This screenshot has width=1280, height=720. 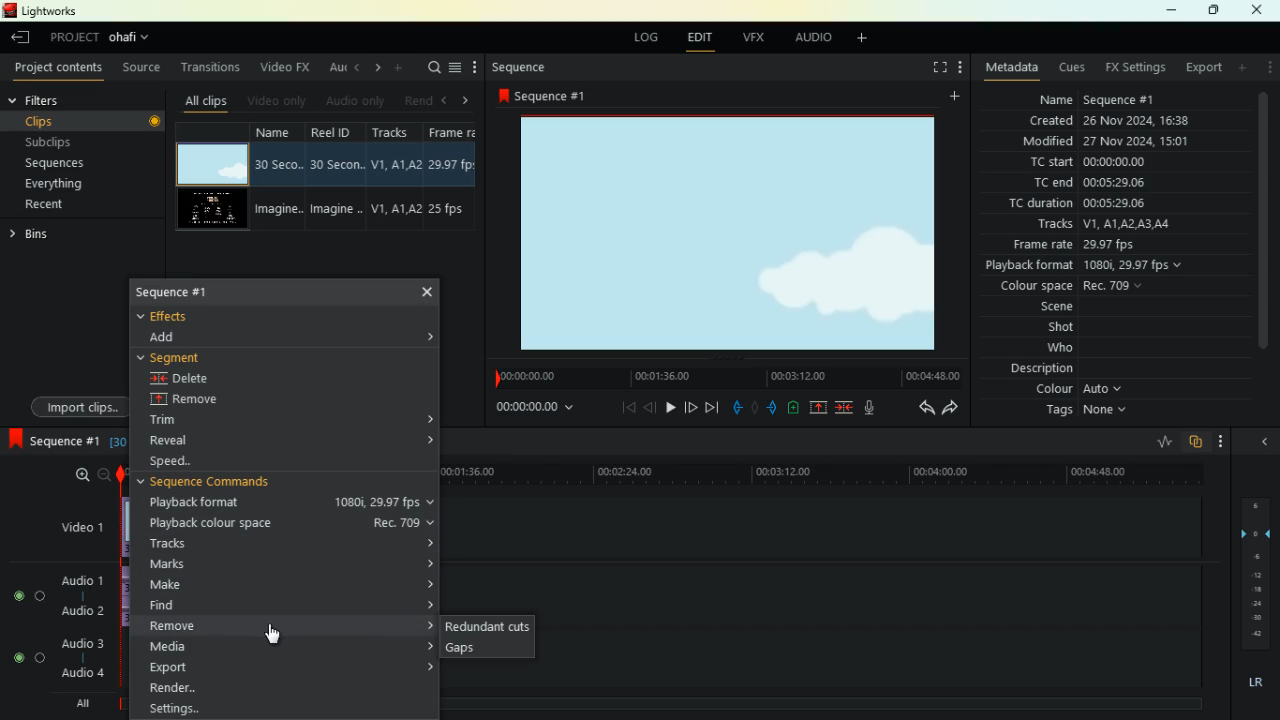 What do you see at coordinates (211, 160) in the screenshot?
I see `video` at bounding box center [211, 160].